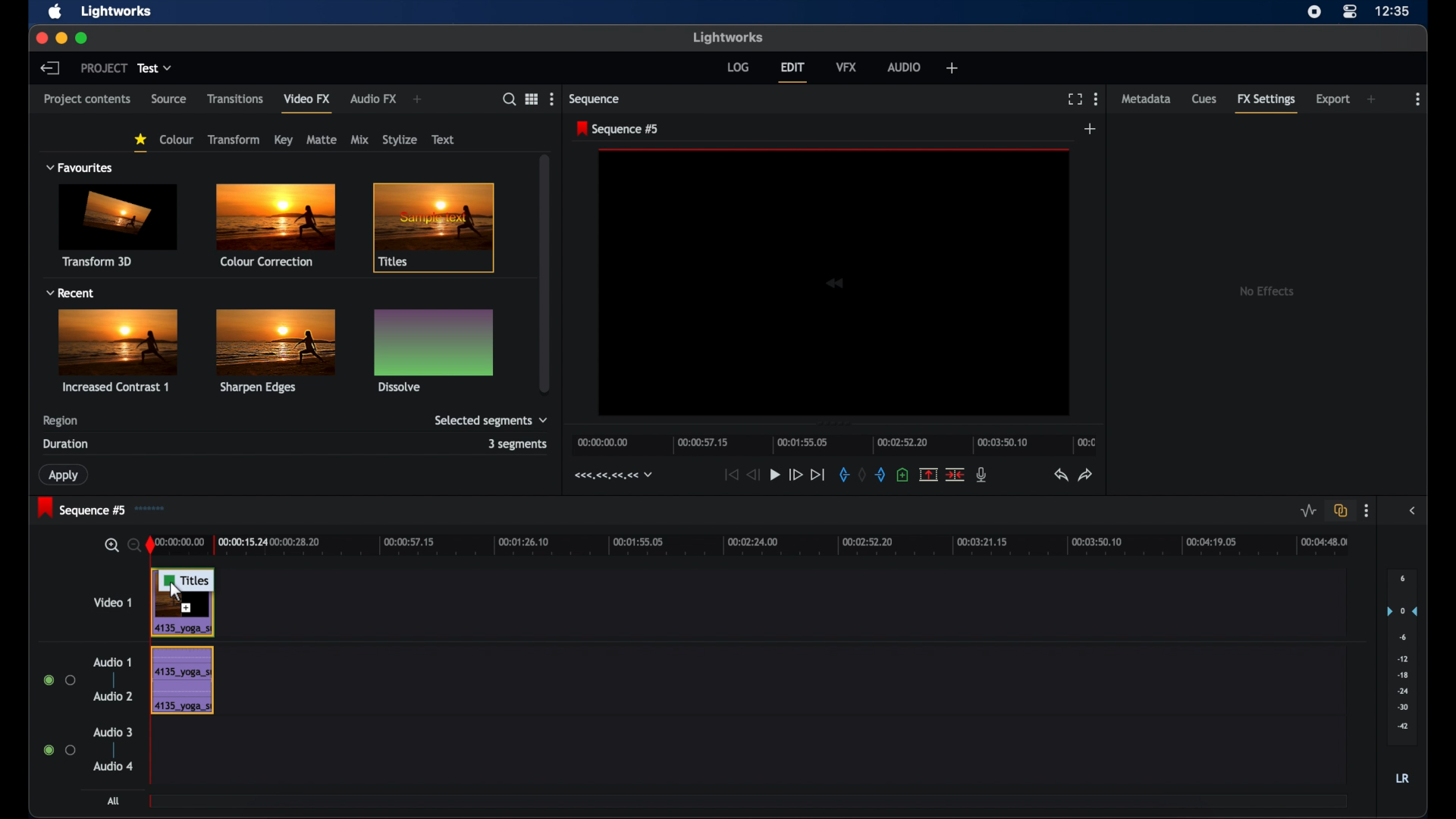 This screenshot has height=819, width=1456. What do you see at coordinates (983, 475) in the screenshot?
I see `mic` at bounding box center [983, 475].